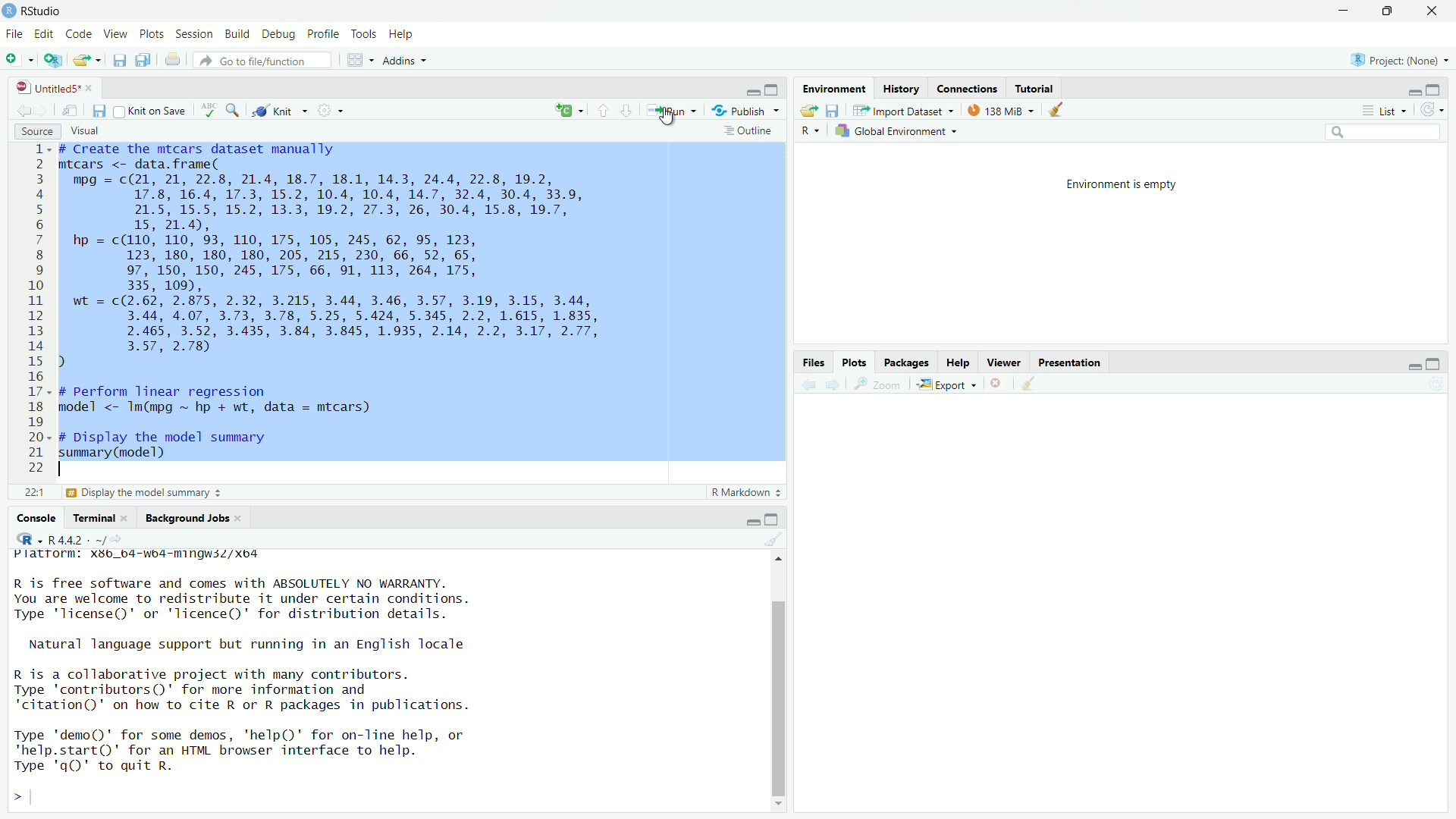 This screenshot has height=819, width=1456. I want to click on Zoom, so click(882, 384).